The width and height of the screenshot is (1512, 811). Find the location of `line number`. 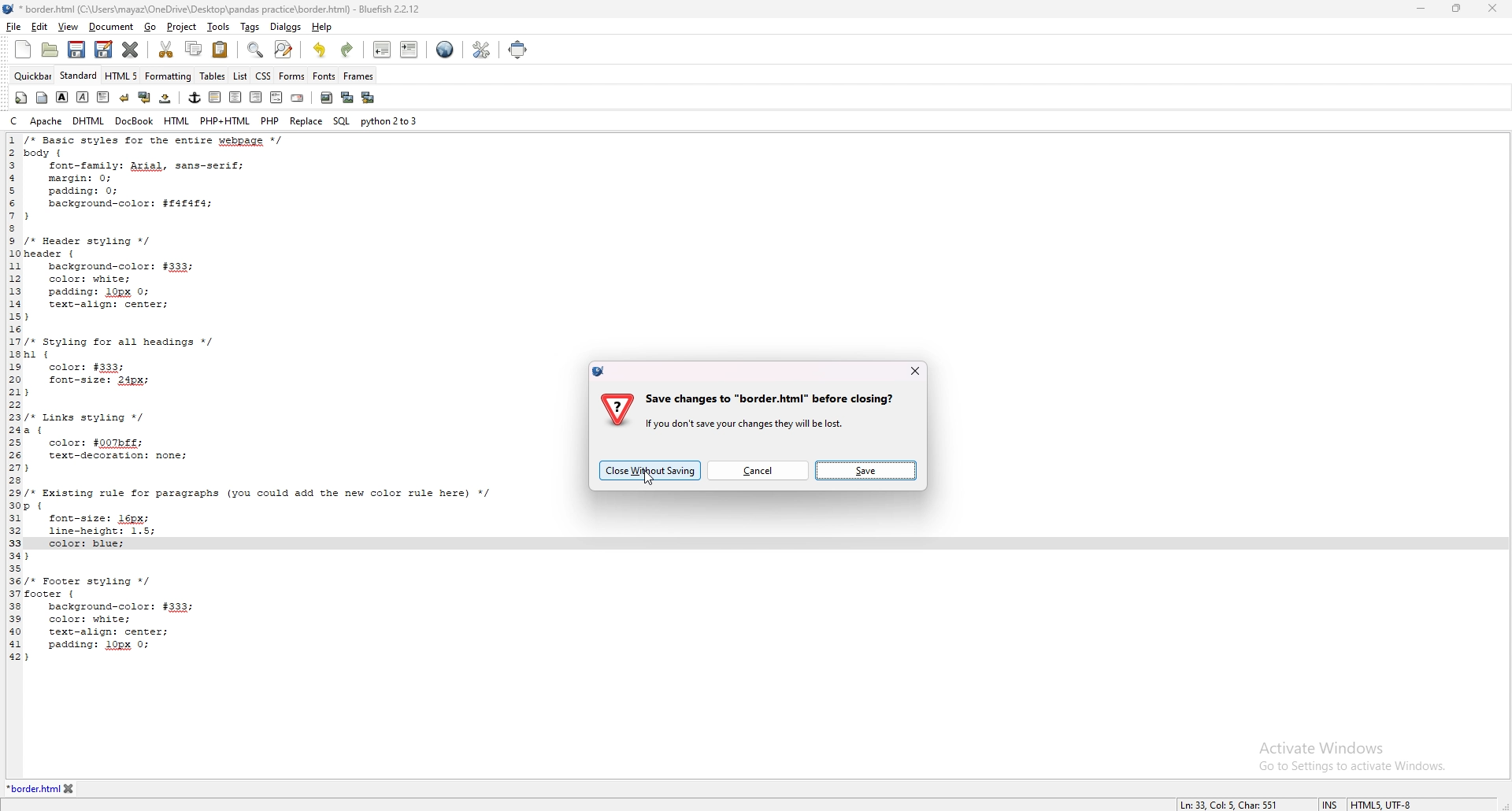

line number is located at coordinates (15, 399).